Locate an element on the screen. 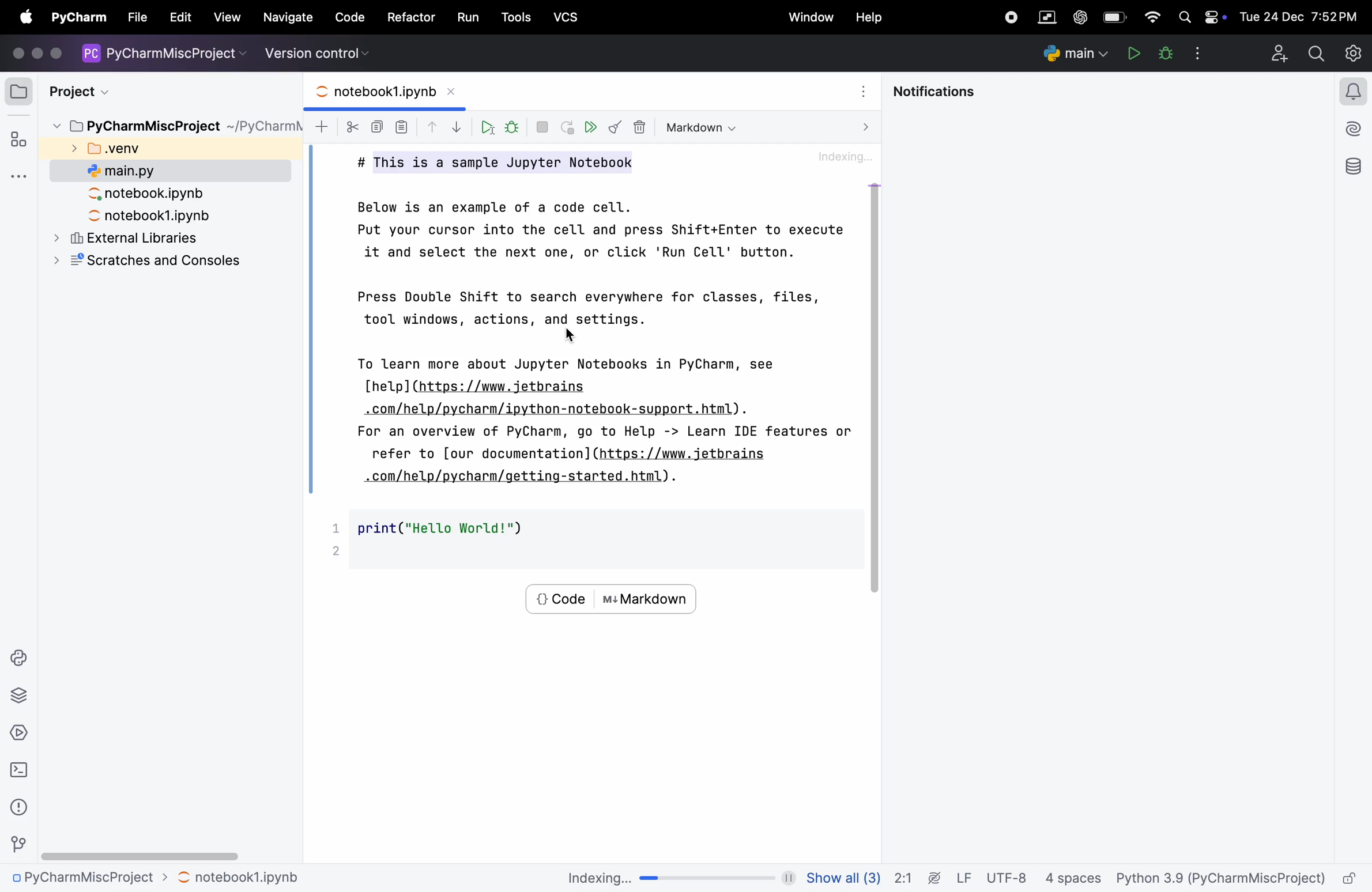  cursor is located at coordinates (575, 339).